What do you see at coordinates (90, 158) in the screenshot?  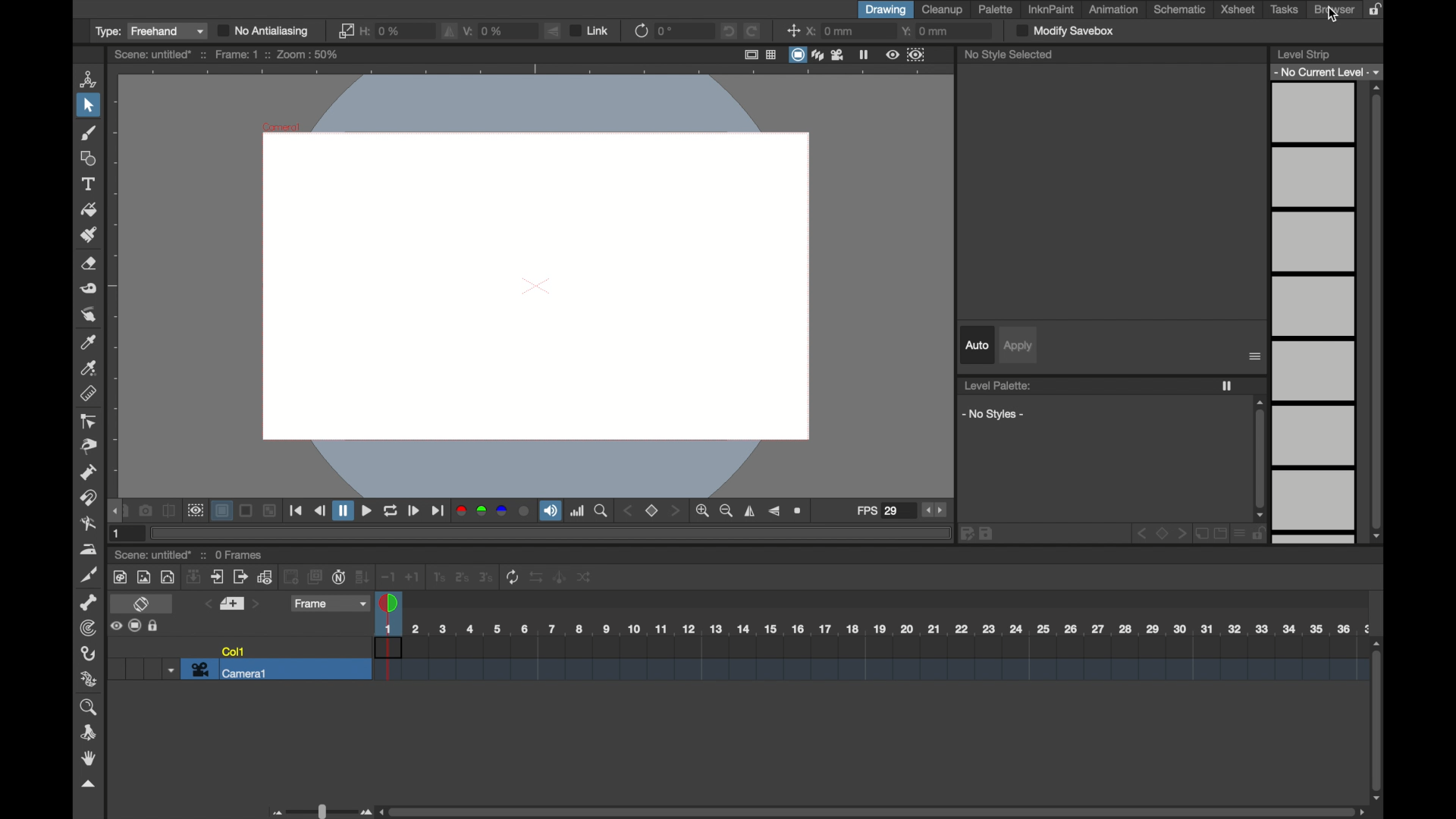 I see `shape tool` at bounding box center [90, 158].